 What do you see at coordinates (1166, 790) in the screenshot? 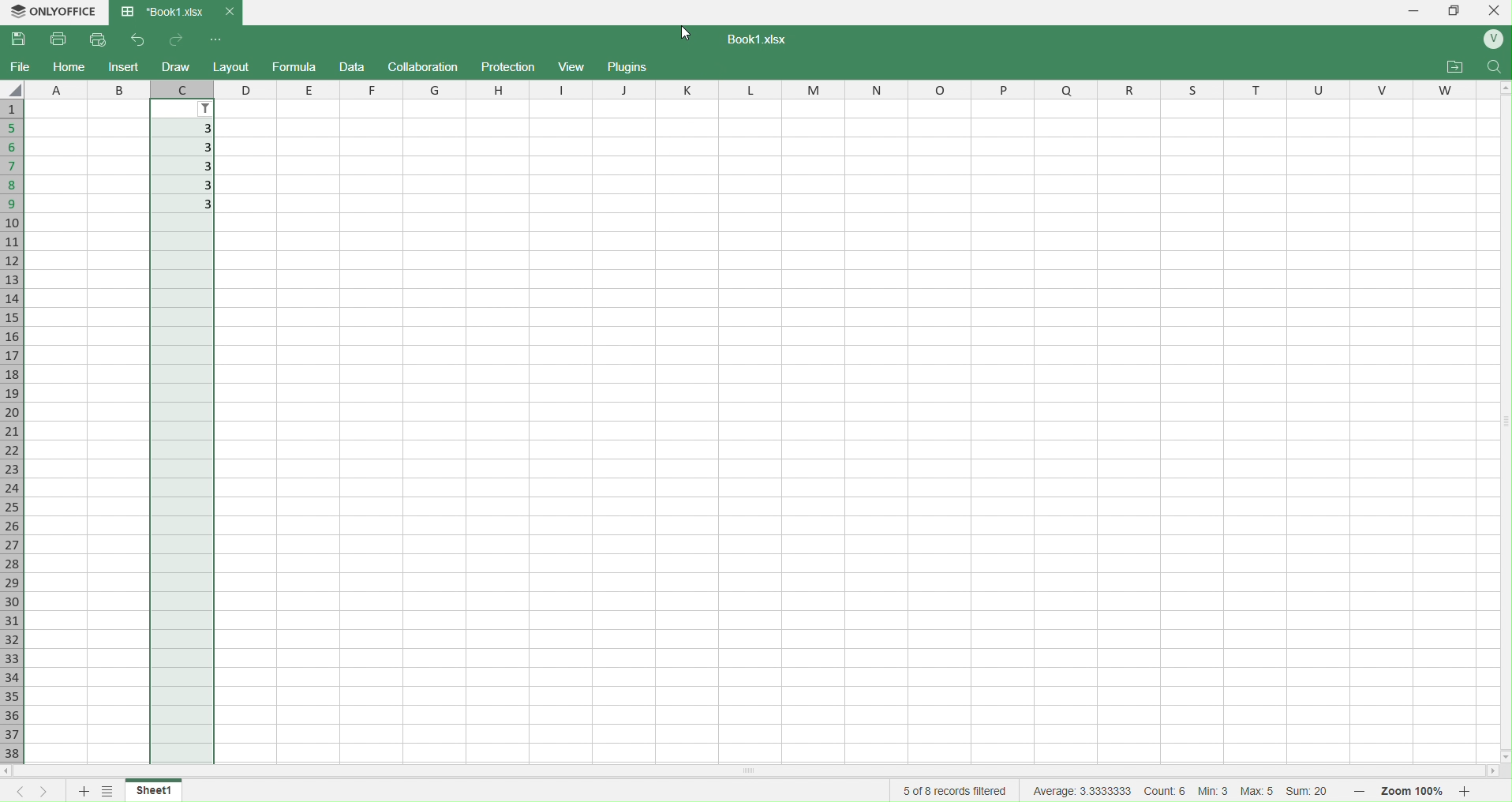
I see `cout` at bounding box center [1166, 790].